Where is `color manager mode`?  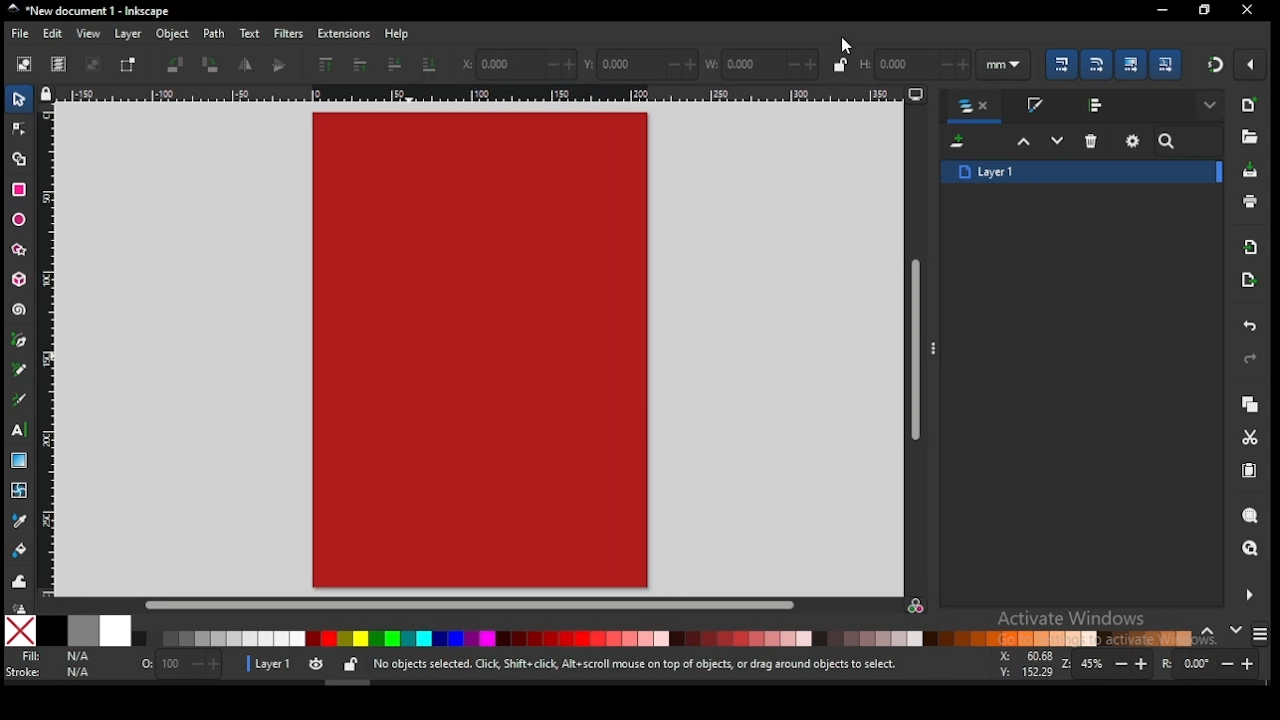 color manager mode is located at coordinates (917, 607).